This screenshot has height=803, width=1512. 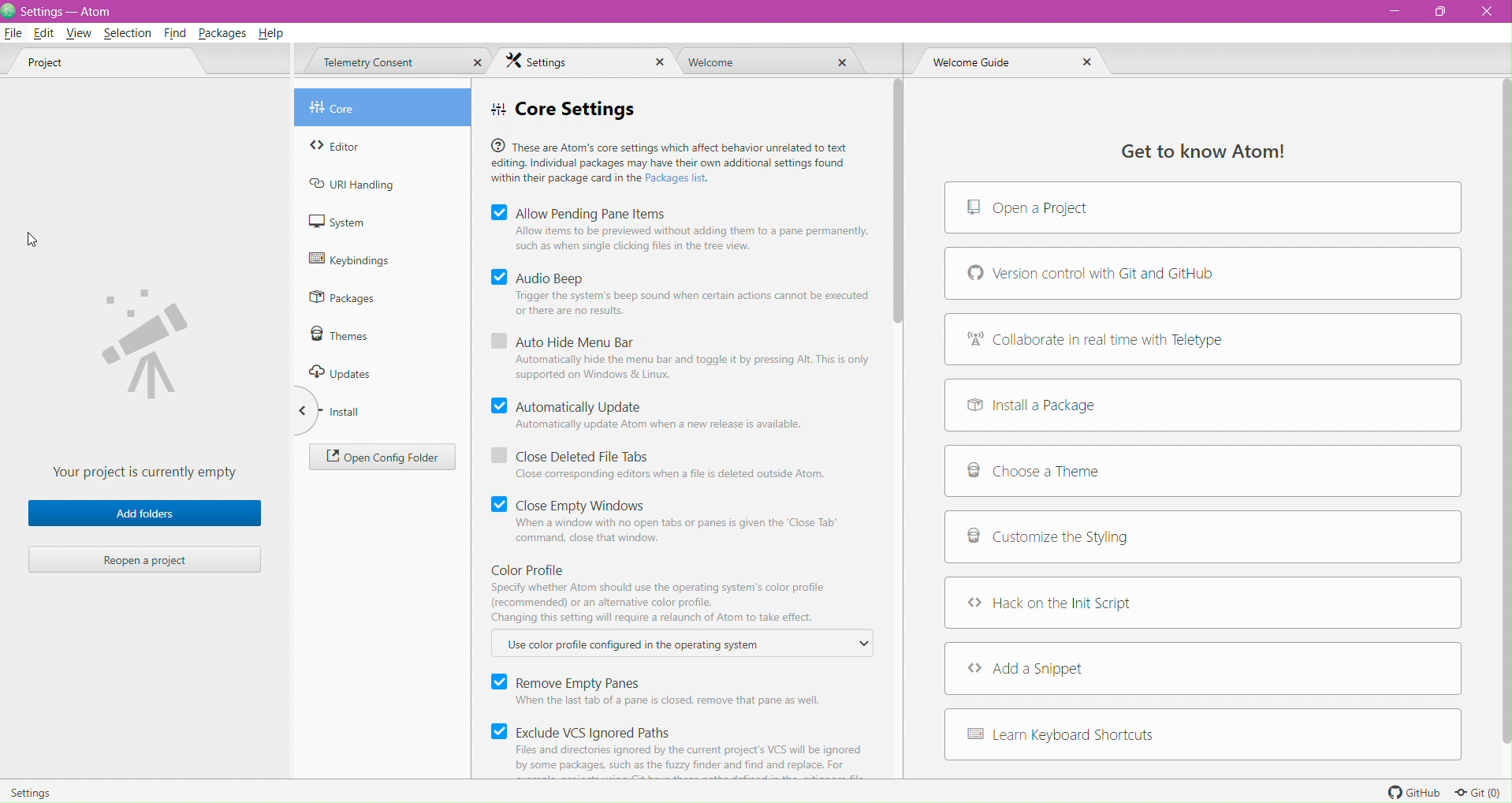 What do you see at coordinates (1203, 208) in the screenshot?
I see `Open a Project` at bounding box center [1203, 208].